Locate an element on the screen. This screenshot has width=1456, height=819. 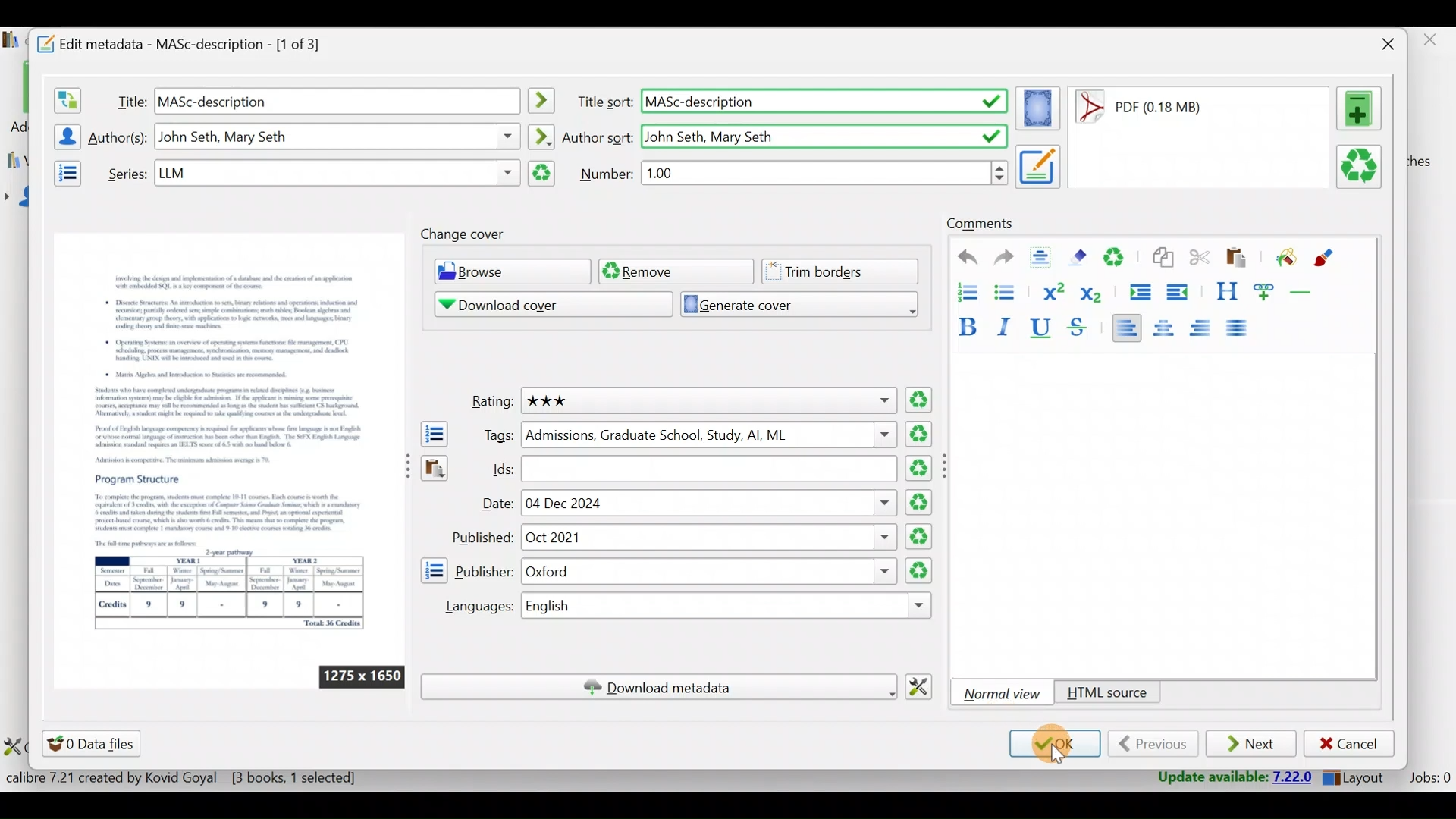
Close is located at coordinates (1384, 44).